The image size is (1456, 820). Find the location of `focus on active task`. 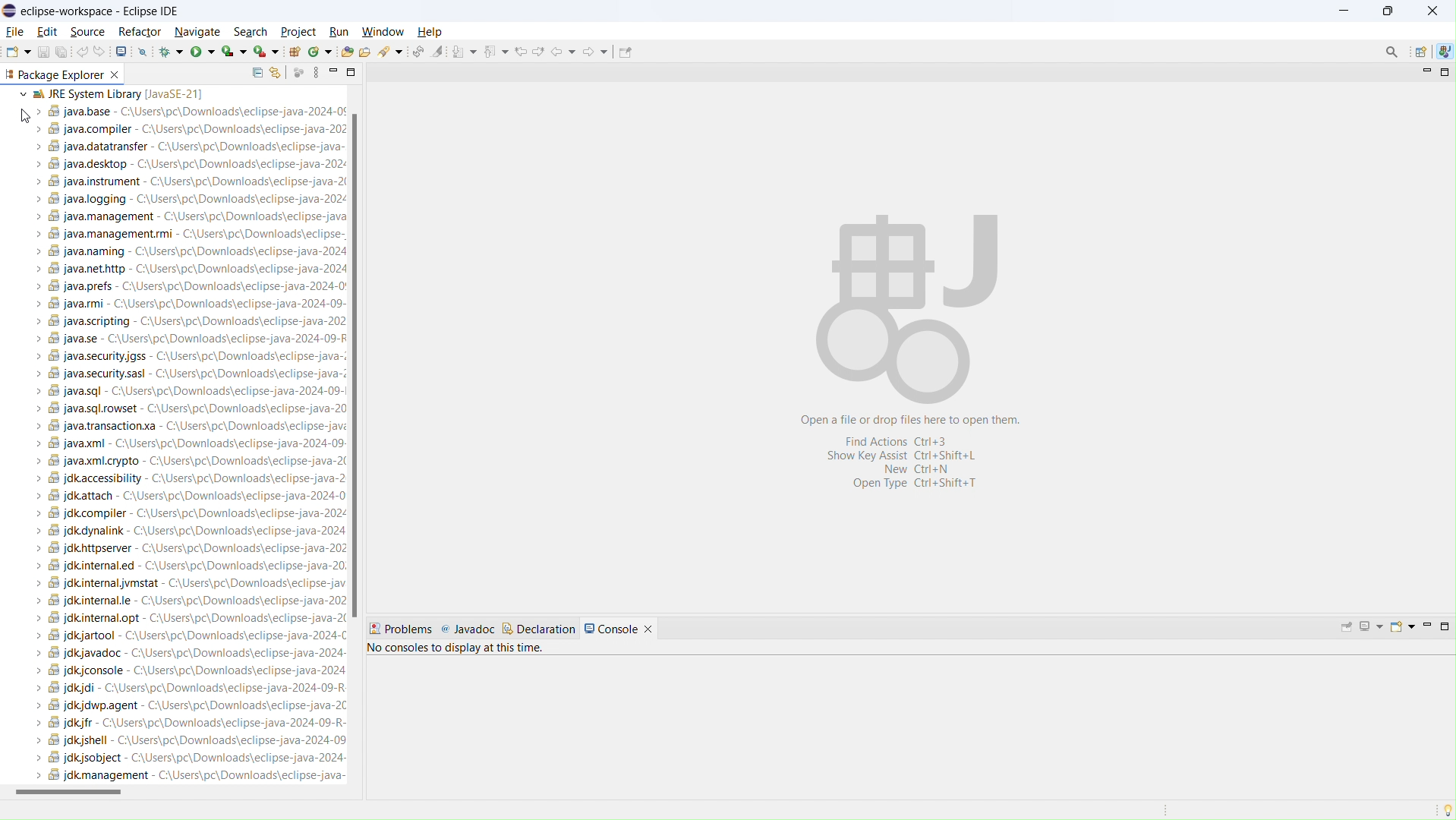

focus on active task is located at coordinates (298, 71).